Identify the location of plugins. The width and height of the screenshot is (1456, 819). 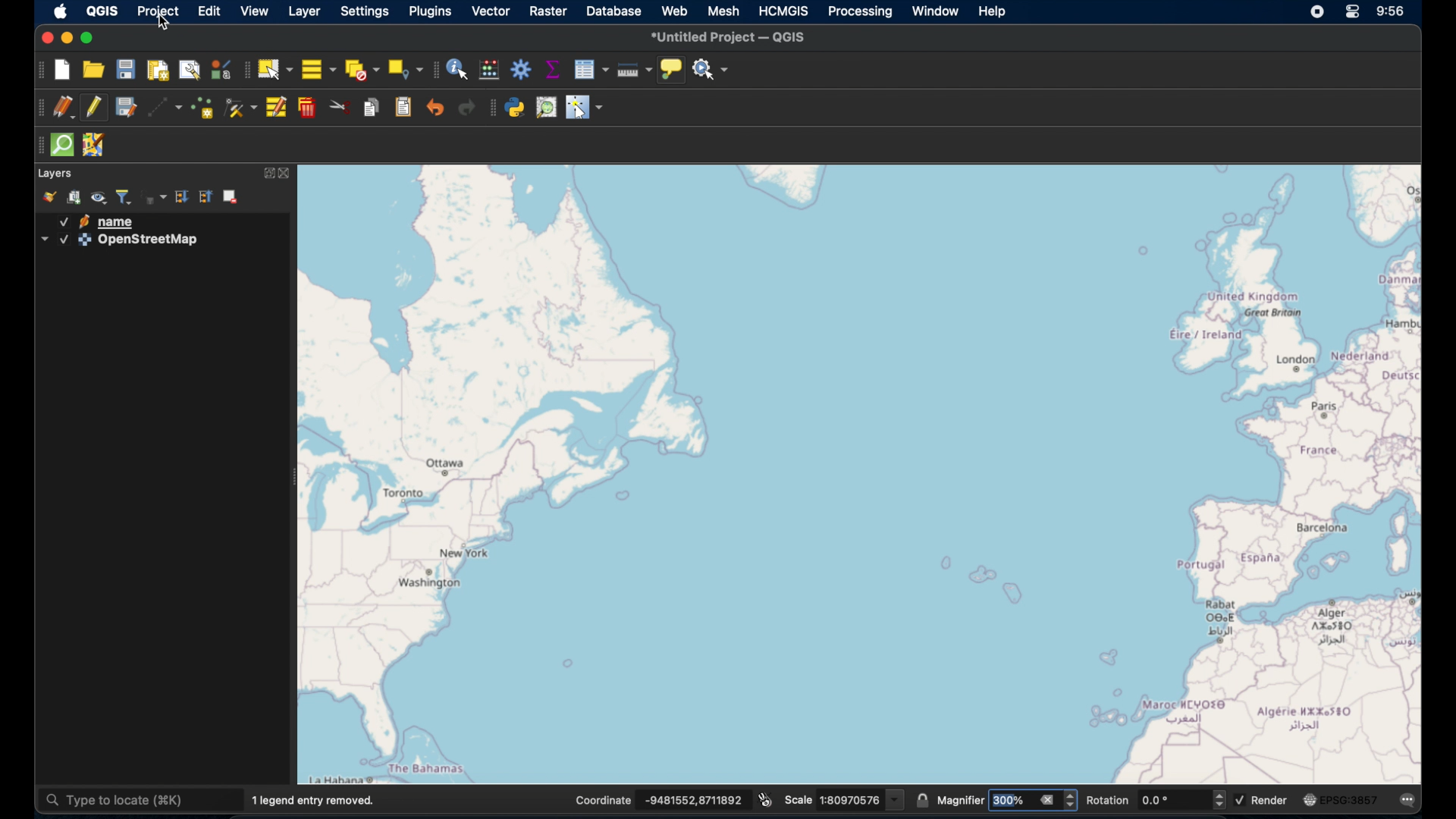
(432, 13).